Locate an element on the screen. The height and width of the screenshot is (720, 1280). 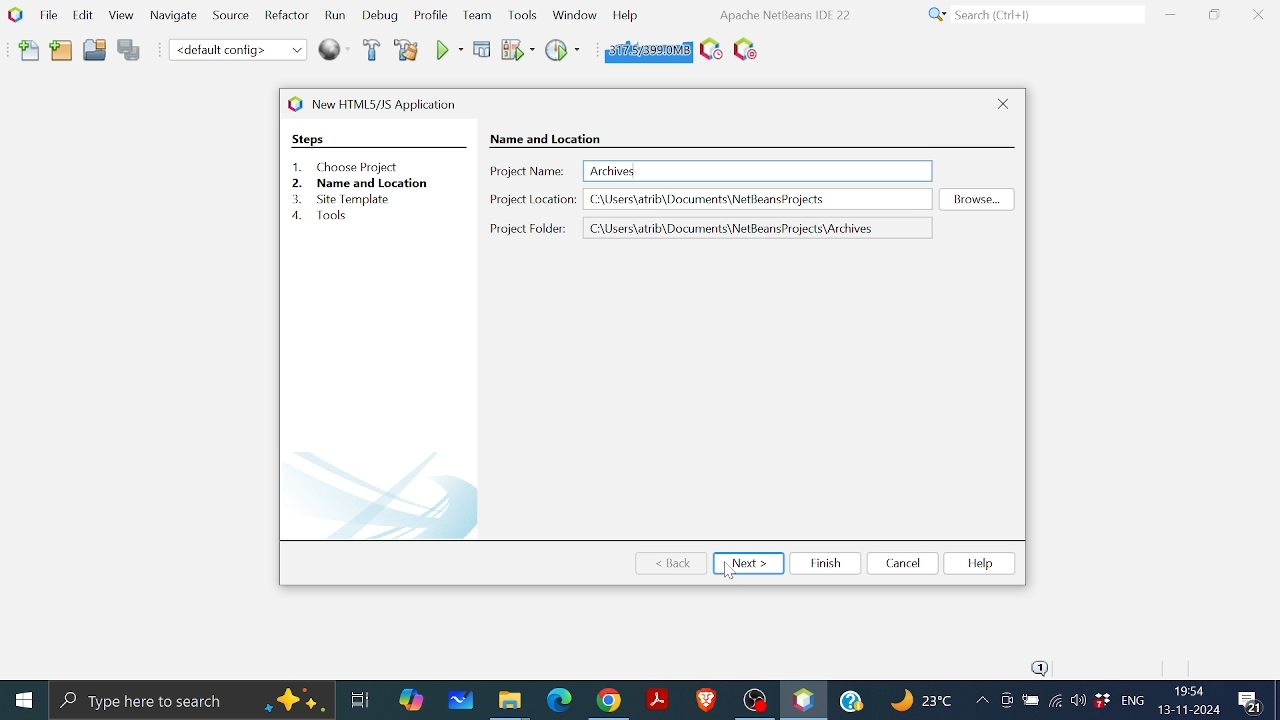
Meet now is located at coordinates (1006, 703).